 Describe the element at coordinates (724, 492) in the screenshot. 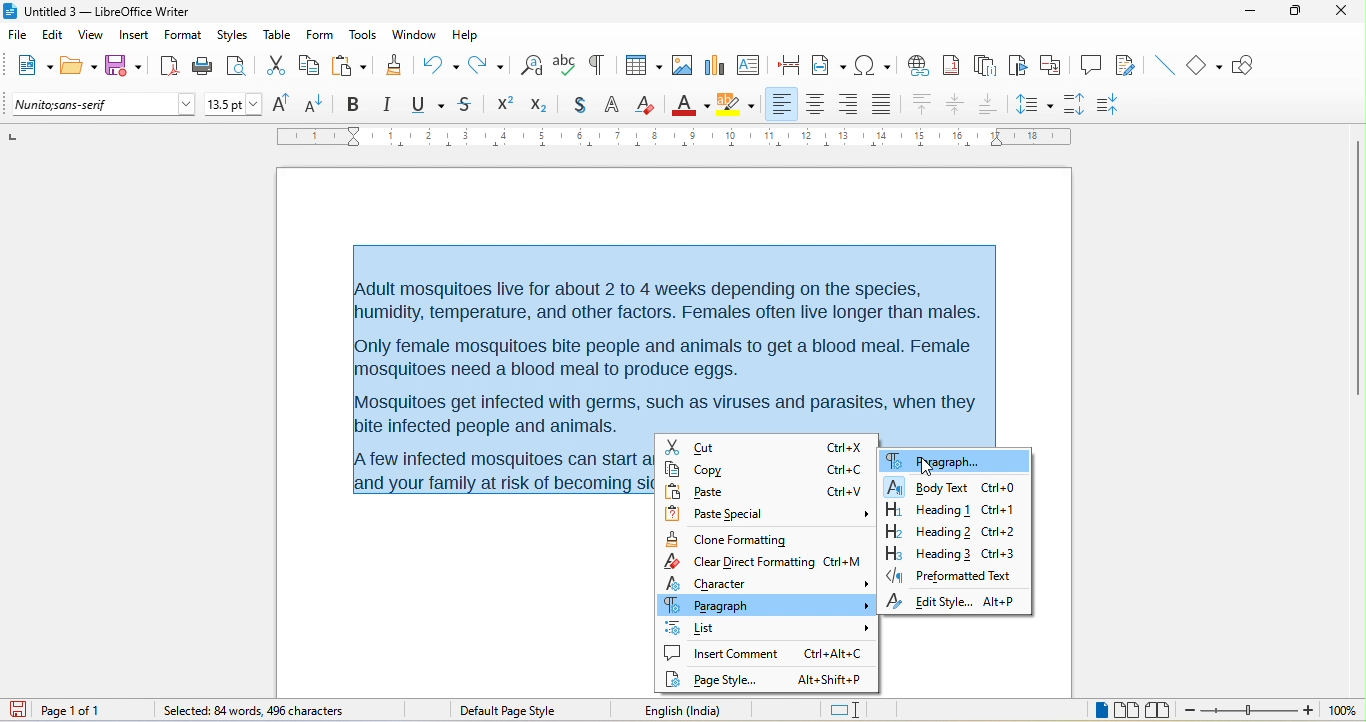

I see `paste` at that location.